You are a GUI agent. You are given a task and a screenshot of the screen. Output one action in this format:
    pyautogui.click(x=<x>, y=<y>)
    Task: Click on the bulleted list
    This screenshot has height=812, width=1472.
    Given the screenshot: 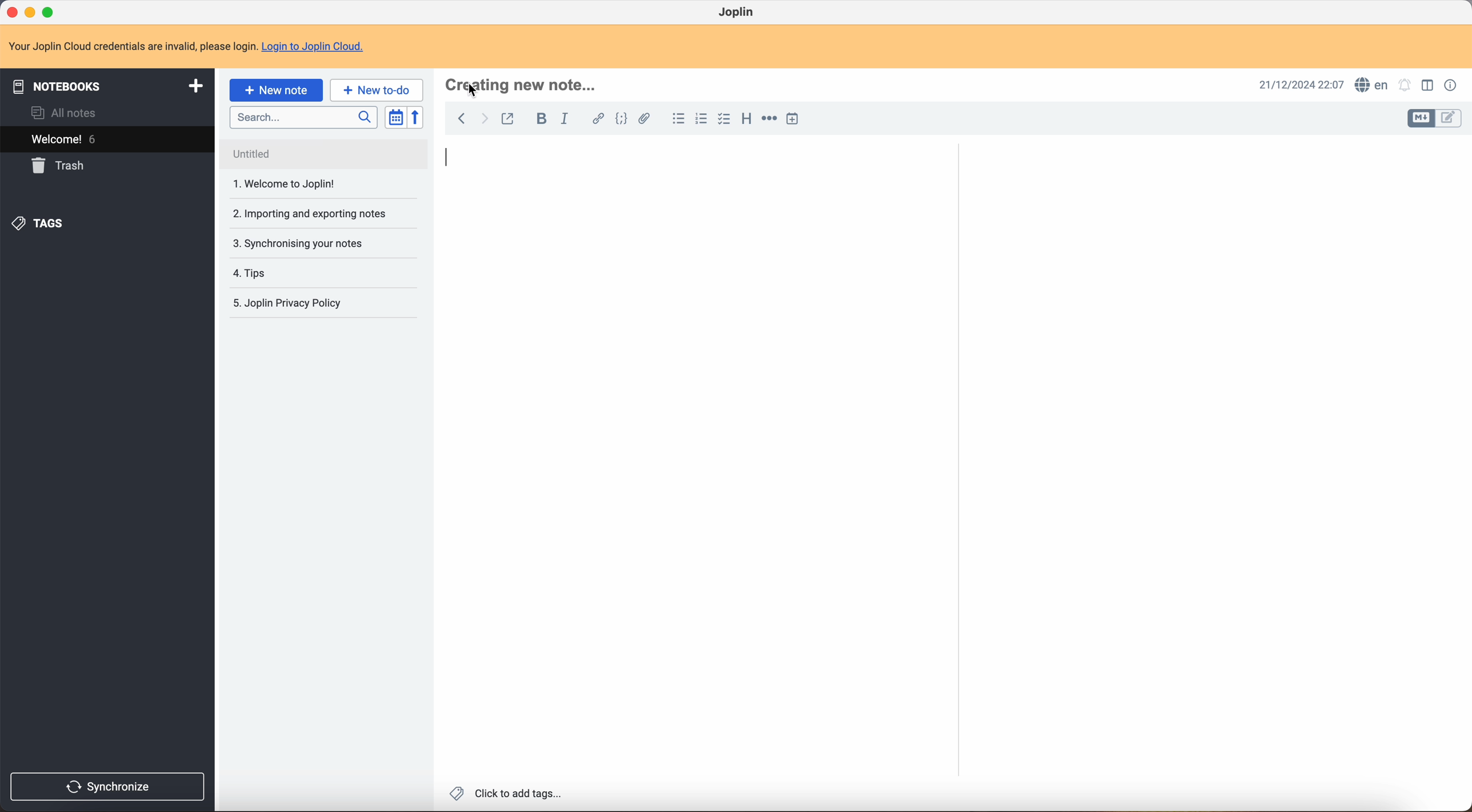 What is the action you would take?
    pyautogui.click(x=678, y=119)
    